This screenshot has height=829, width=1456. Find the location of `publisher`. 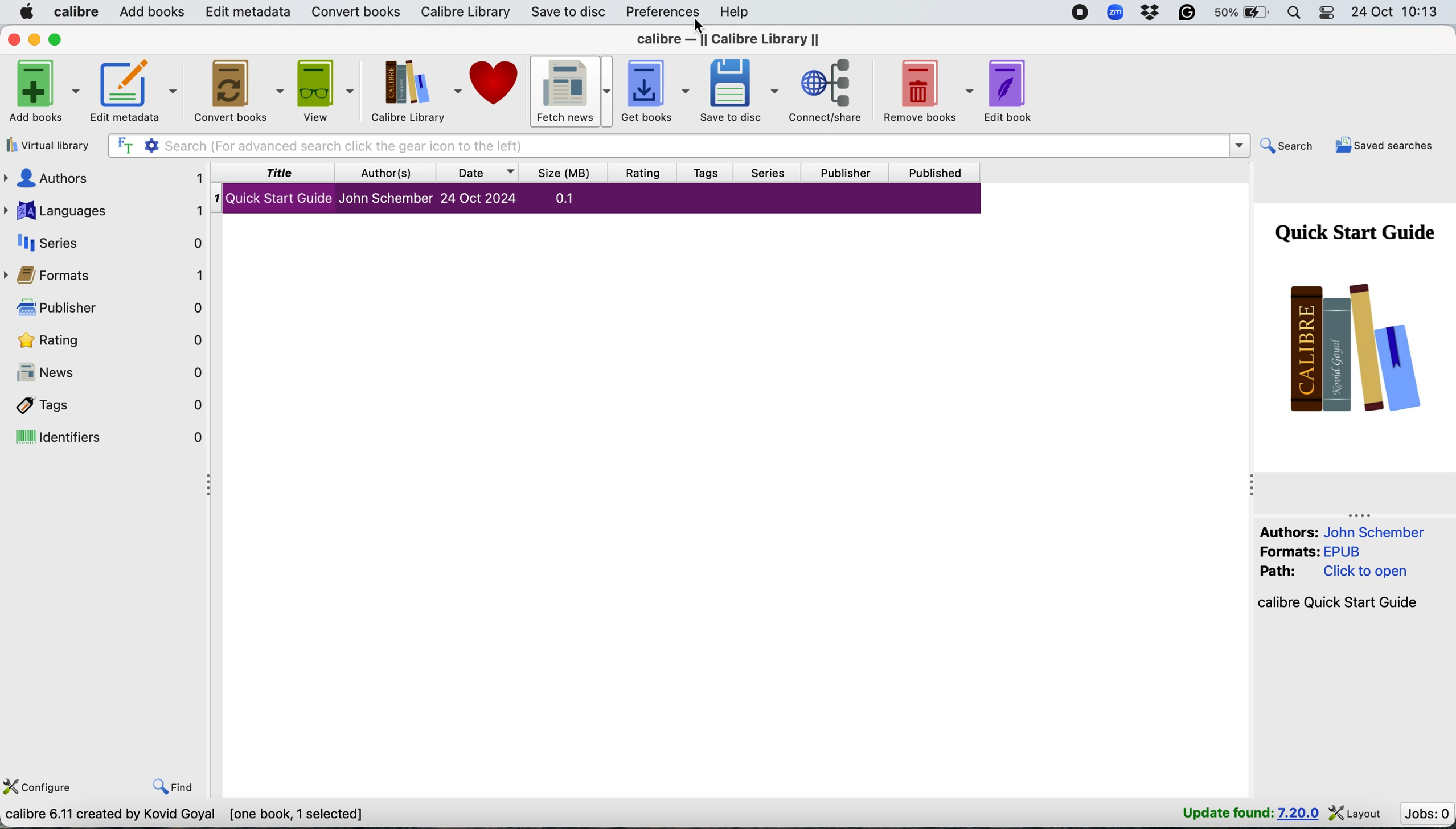

publisher is located at coordinates (108, 308).